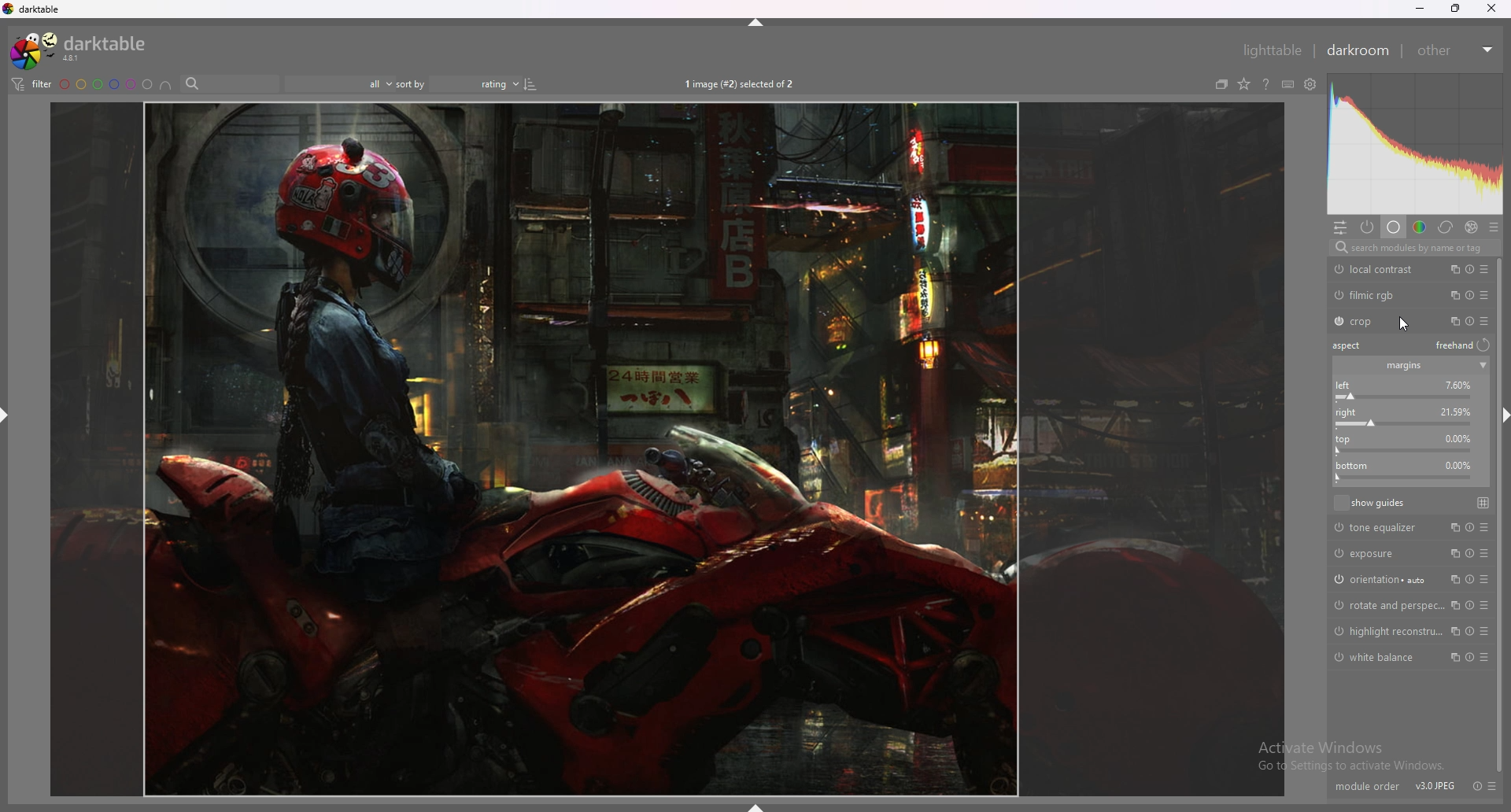 This screenshot has width=1511, height=812. Describe the element at coordinates (1468, 631) in the screenshot. I see `reset` at that location.